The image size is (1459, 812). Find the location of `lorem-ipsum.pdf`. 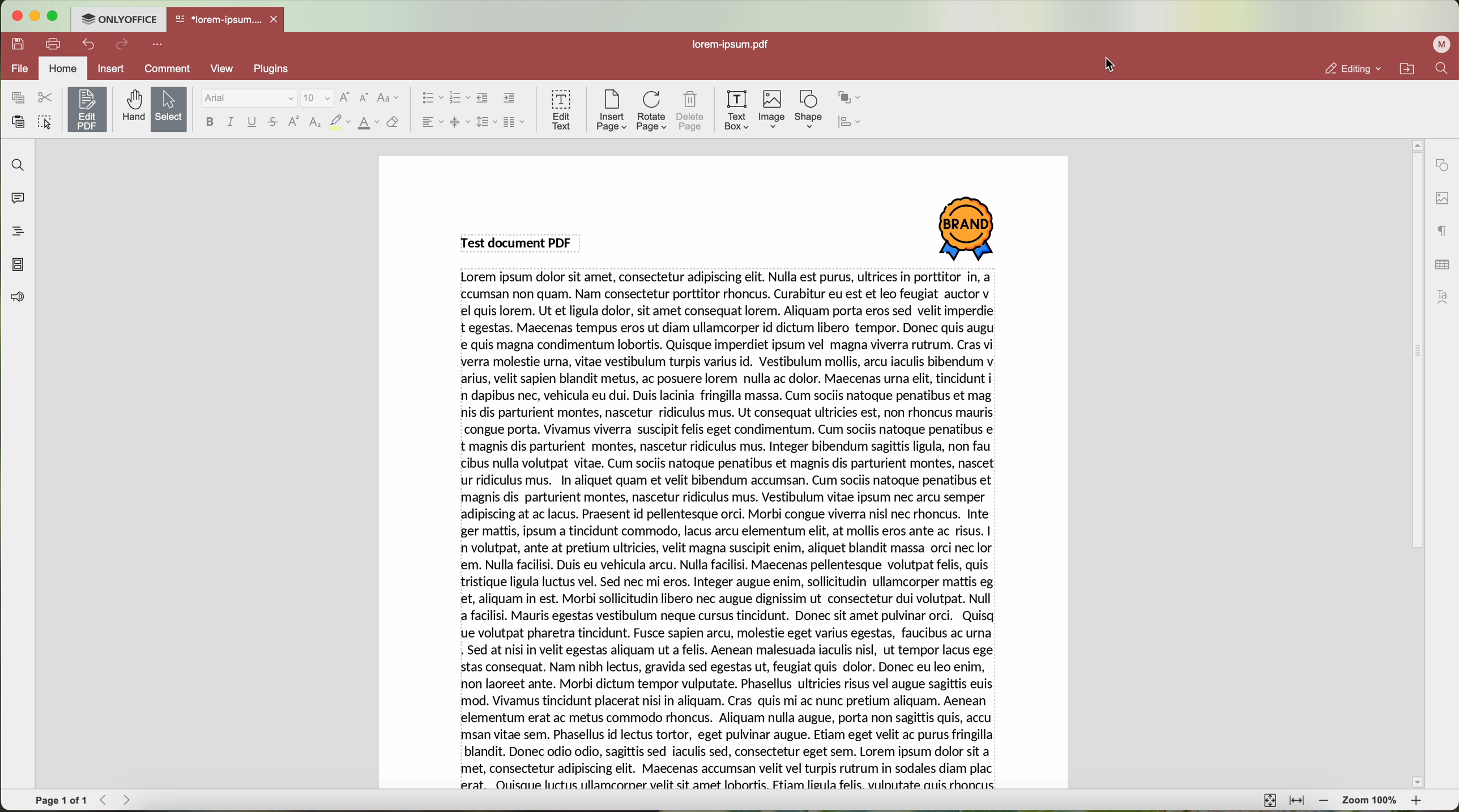

lorem-ipsum.pdf is located at coordinates (735, 44).